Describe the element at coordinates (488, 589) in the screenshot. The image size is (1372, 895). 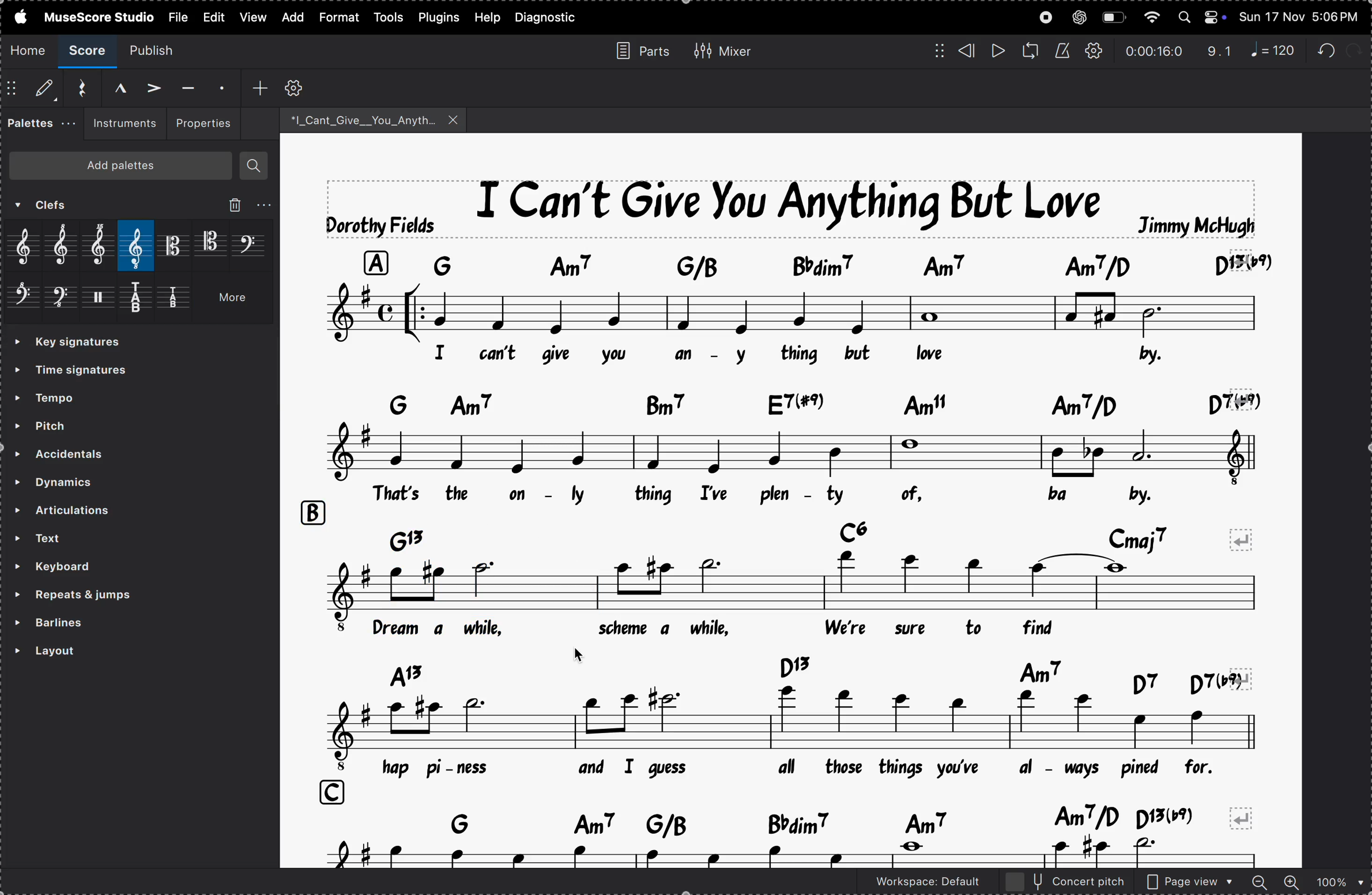
I see `added clef` at that location.